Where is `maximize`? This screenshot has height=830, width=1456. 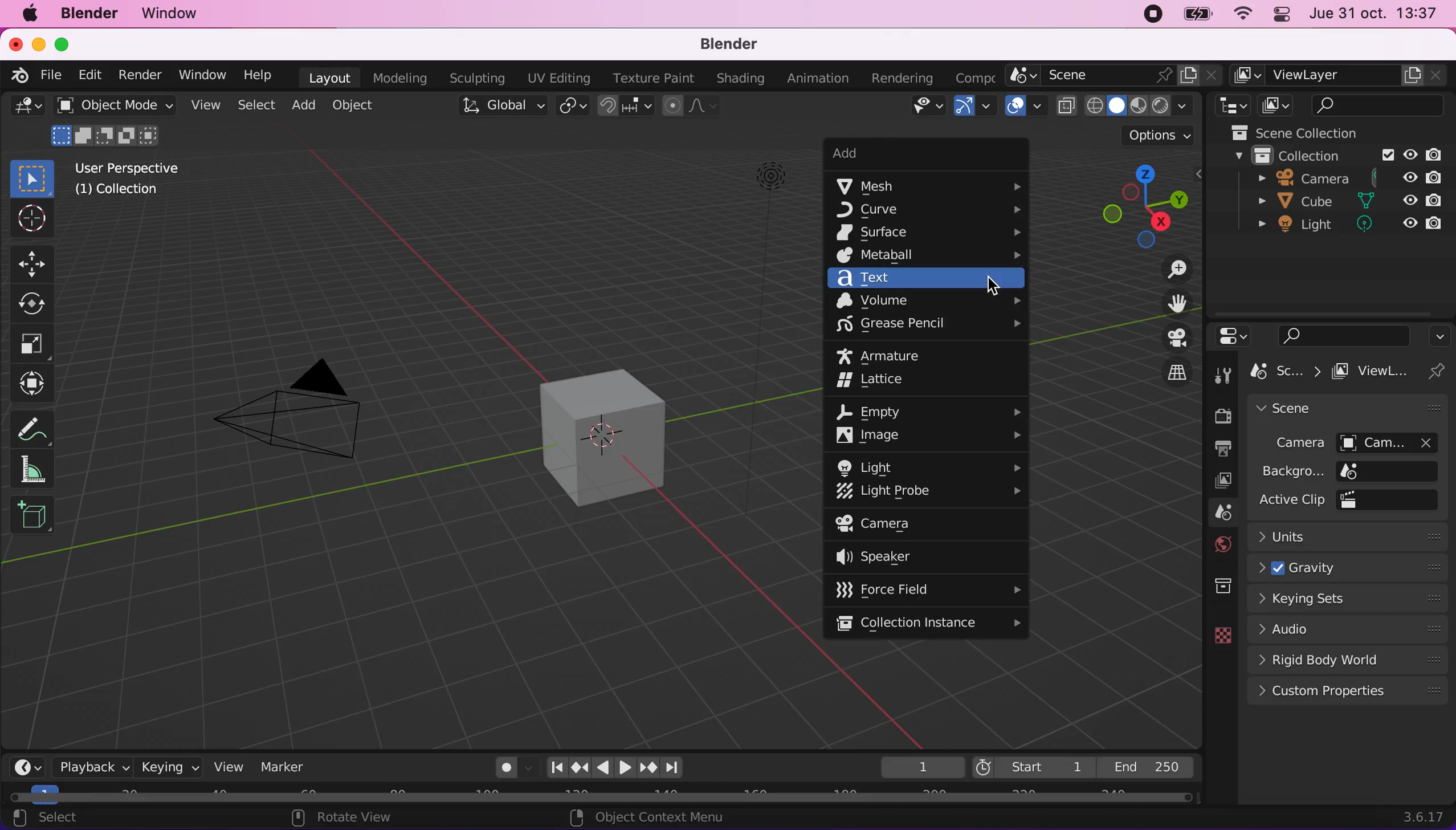 maximize is located at coordinates (69, 43).